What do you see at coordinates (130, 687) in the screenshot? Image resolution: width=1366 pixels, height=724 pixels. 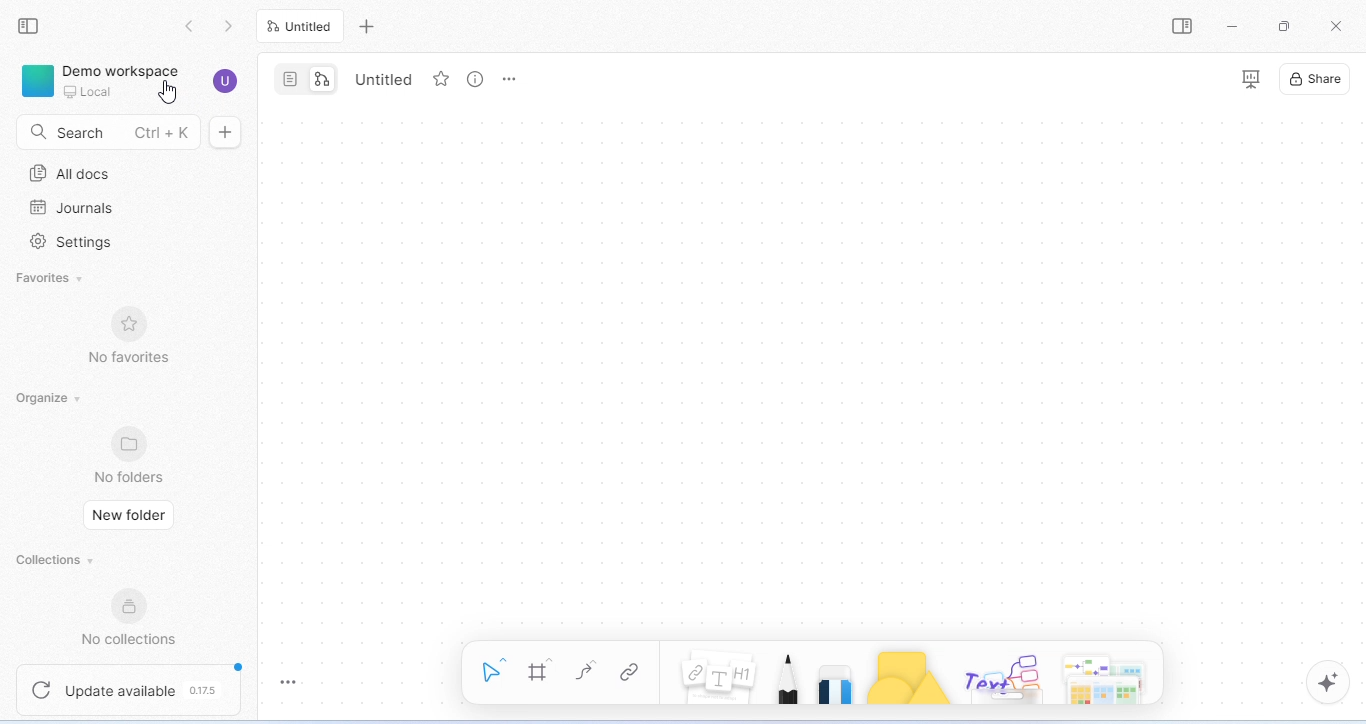 I see `update available` at bounding box center [130, 687].